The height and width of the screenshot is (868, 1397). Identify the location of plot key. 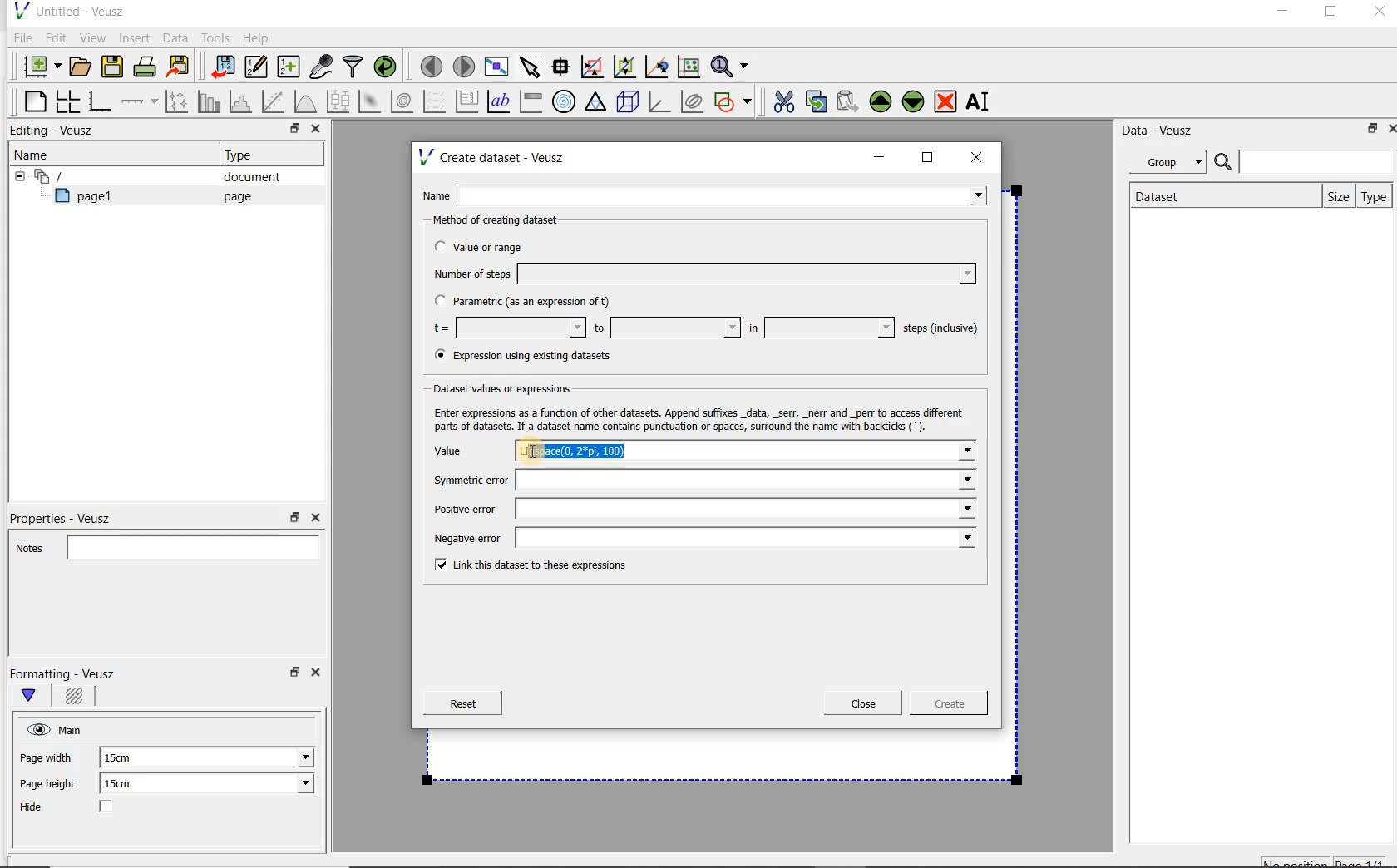
(468, 101).